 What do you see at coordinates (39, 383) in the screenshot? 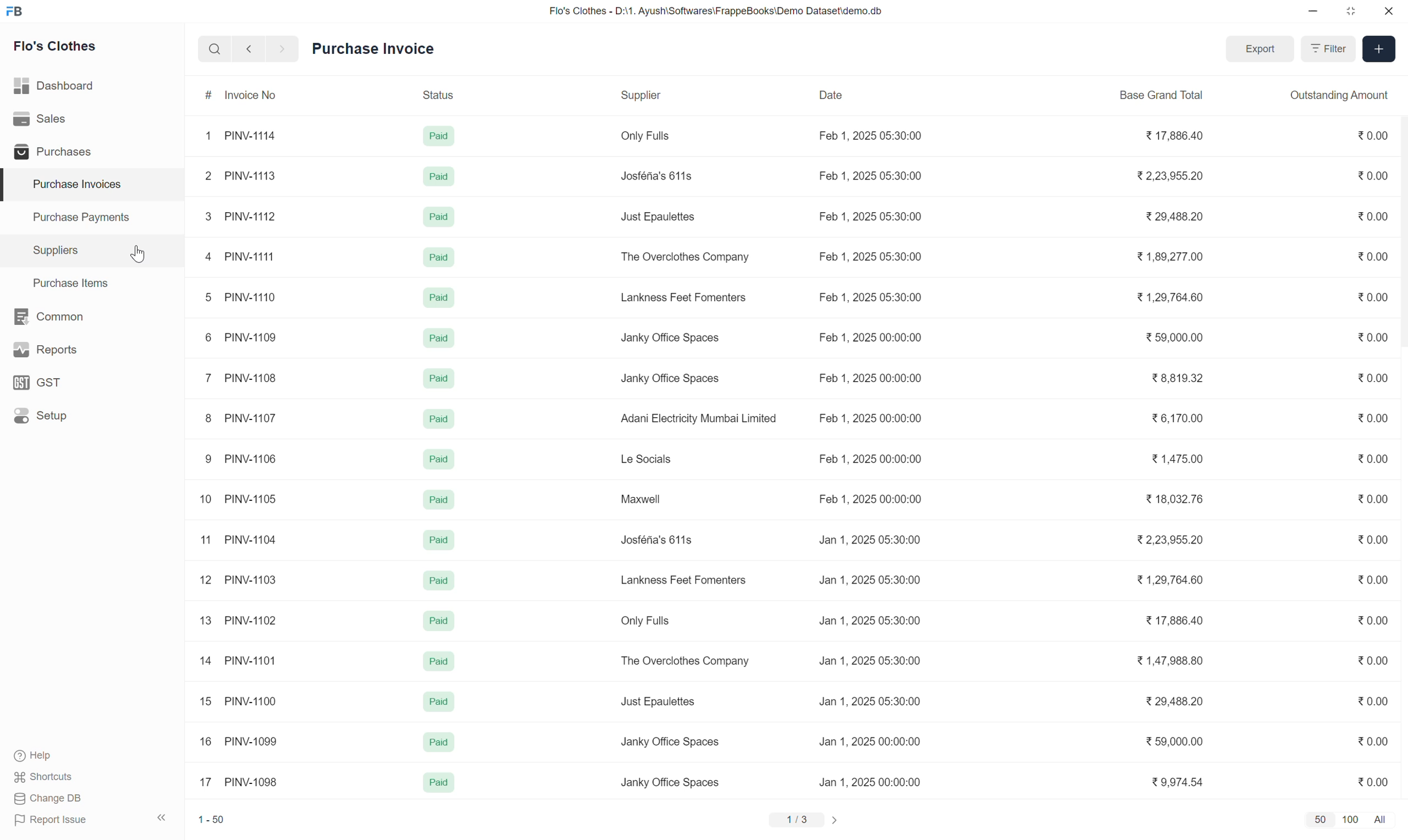
I see `GSt` at bounding box center [39, 383].